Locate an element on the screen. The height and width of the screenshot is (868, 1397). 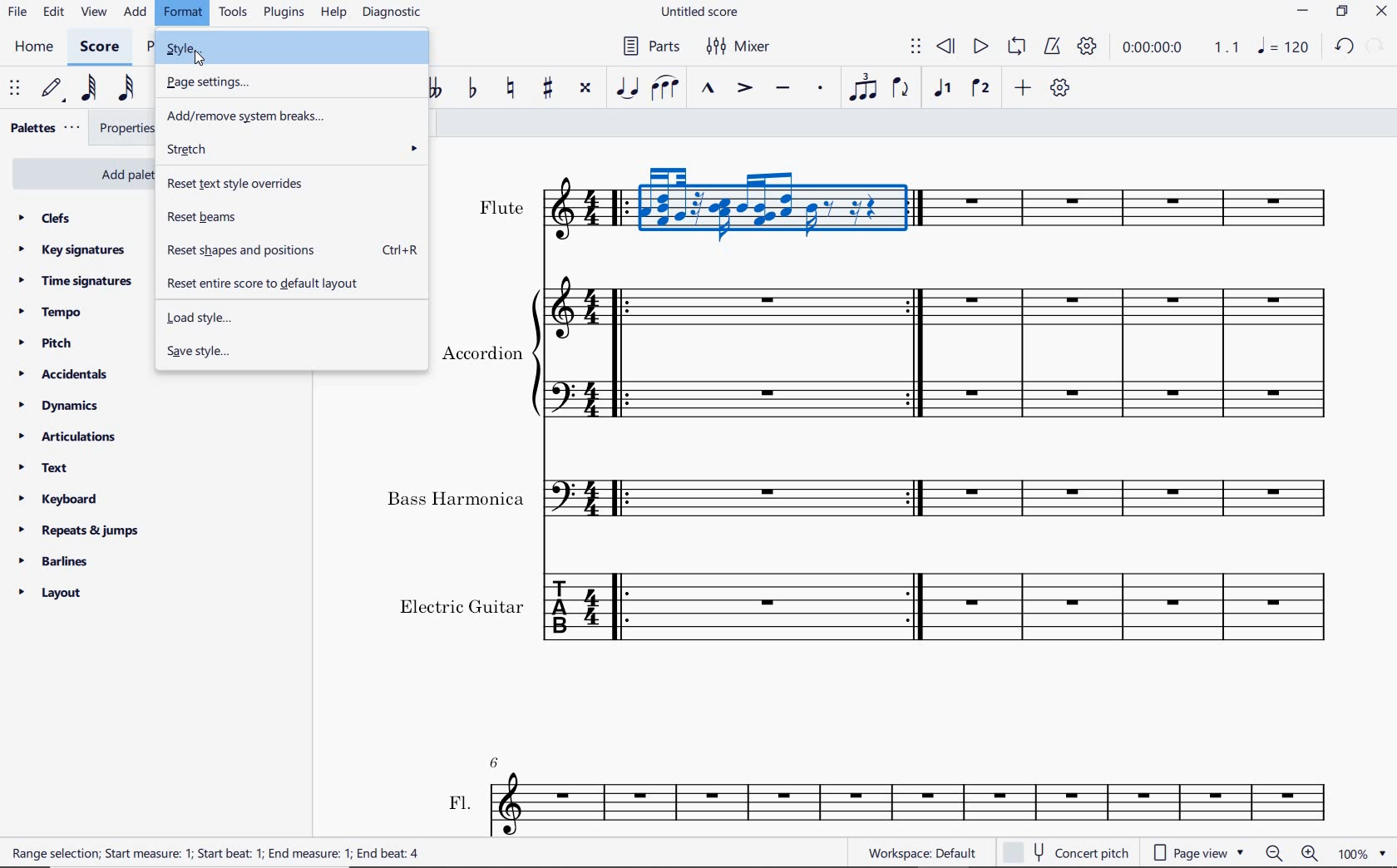
marcato is located at coordinates (708, 89).